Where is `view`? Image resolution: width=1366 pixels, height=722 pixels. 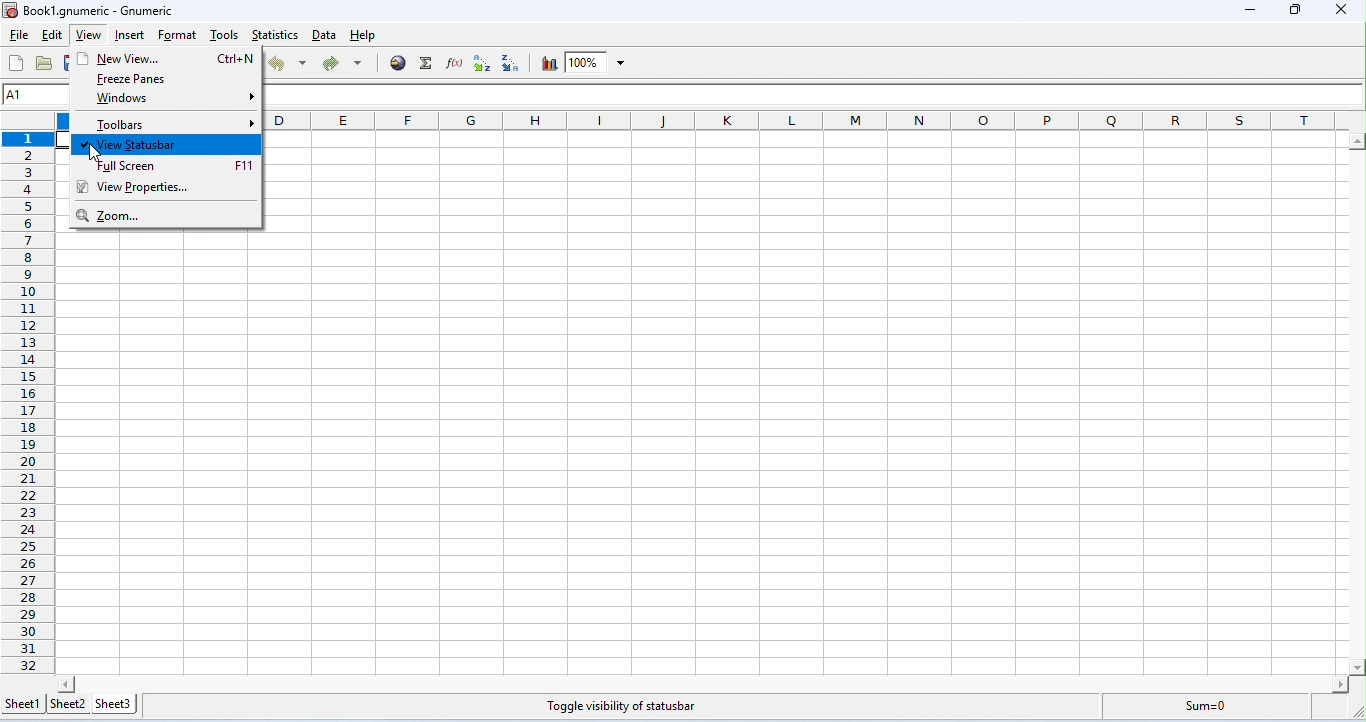
view is located at coordinates (87, 37).